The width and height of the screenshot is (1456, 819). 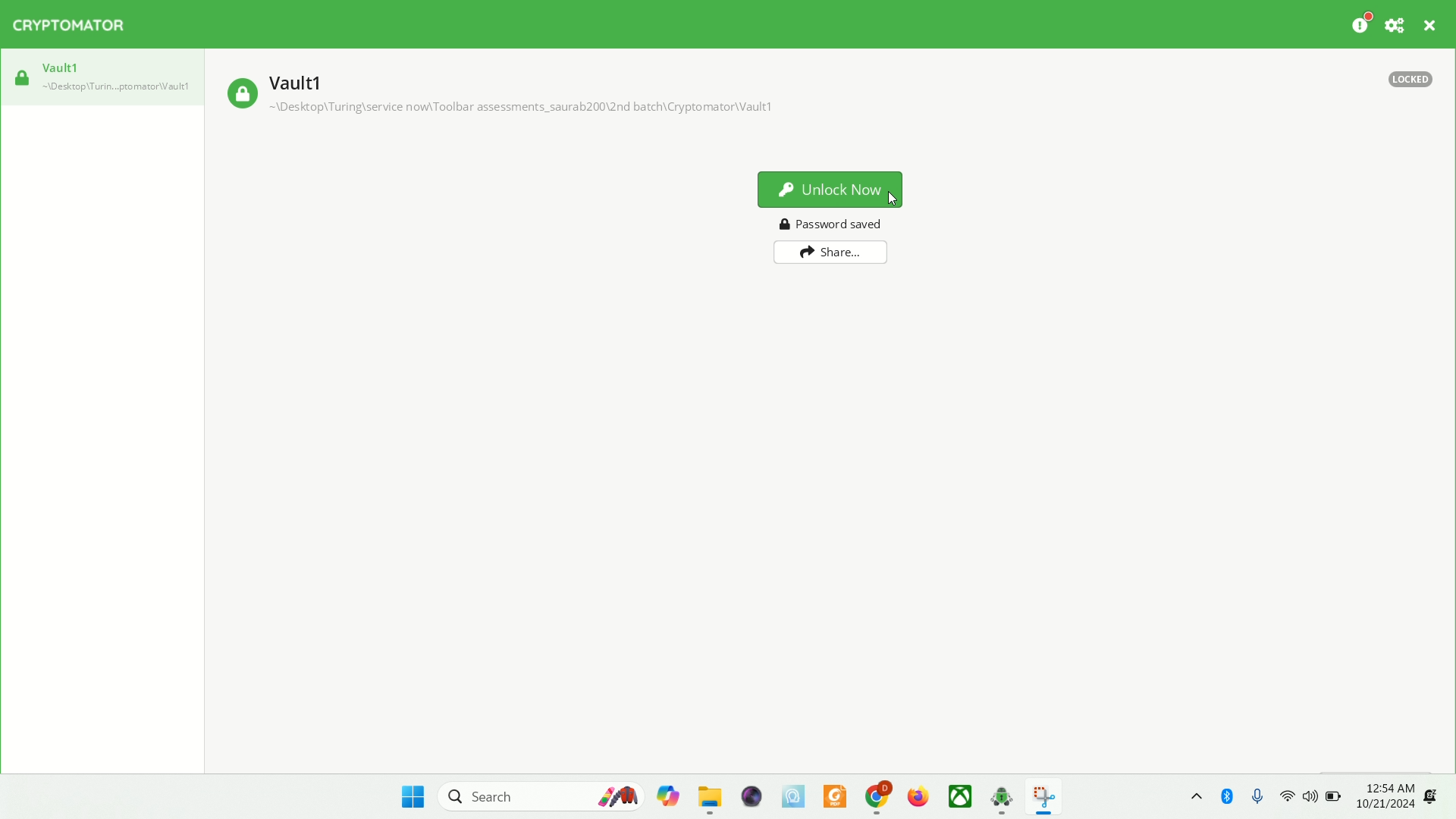 What do you see at coordinates (877, 795) in the screenshot?
I see `chrome` at bounding box center [877, 795].